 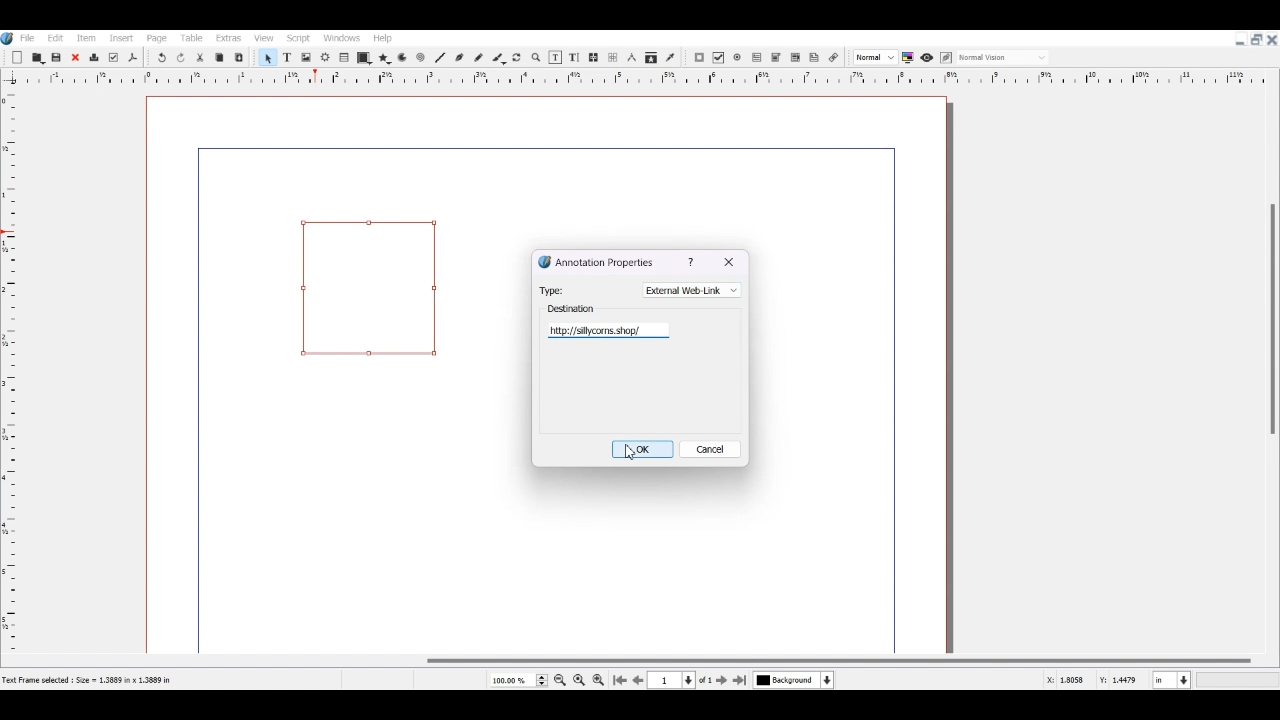 What do you see at coordinates (1271, 360) in the screenshot?
I see `Vertical Scroll Bar` at bounding box center [1271, 360].